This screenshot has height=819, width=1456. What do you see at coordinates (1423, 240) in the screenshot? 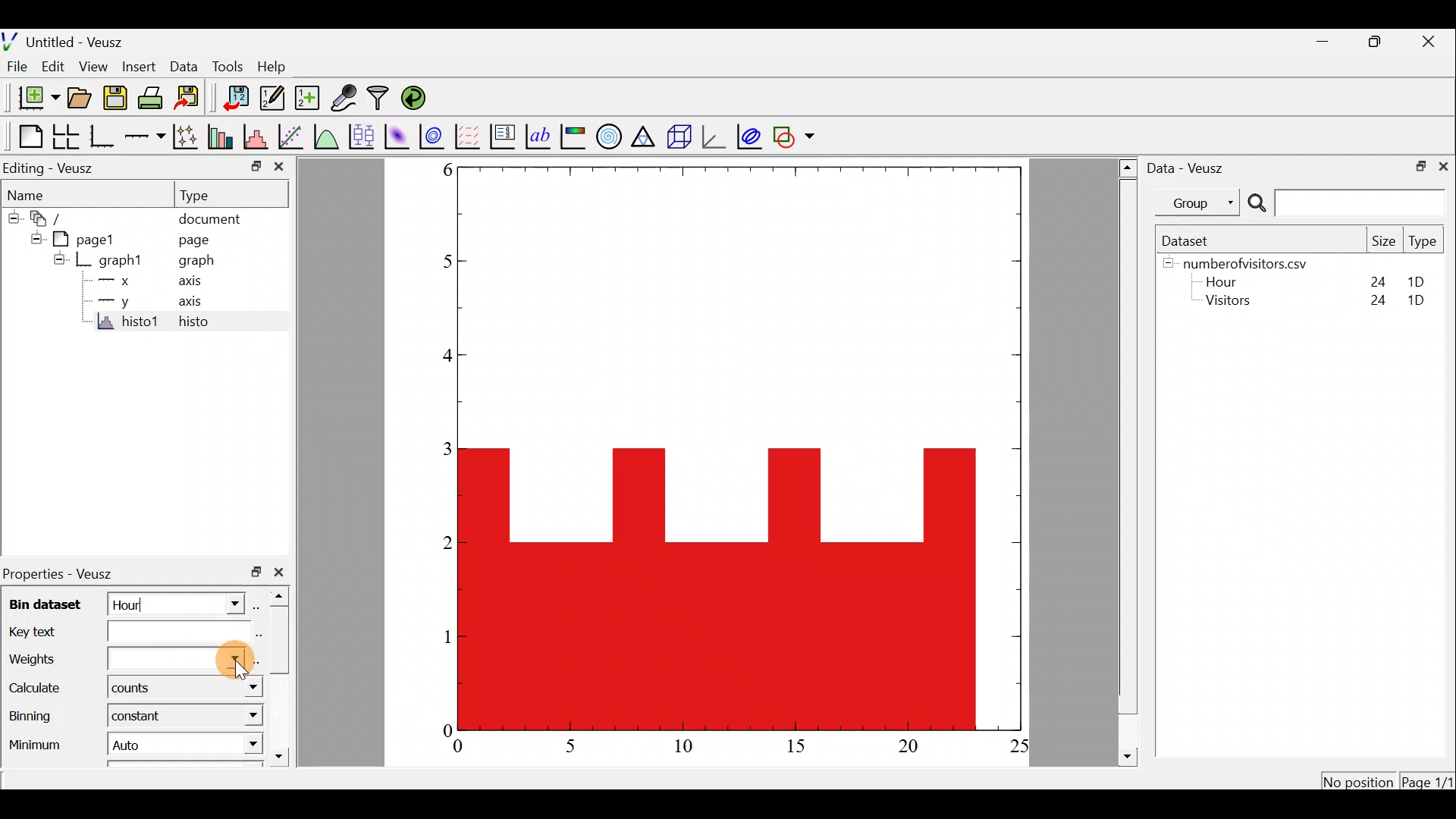
I see `Type` at bounding box center [1423, 240].